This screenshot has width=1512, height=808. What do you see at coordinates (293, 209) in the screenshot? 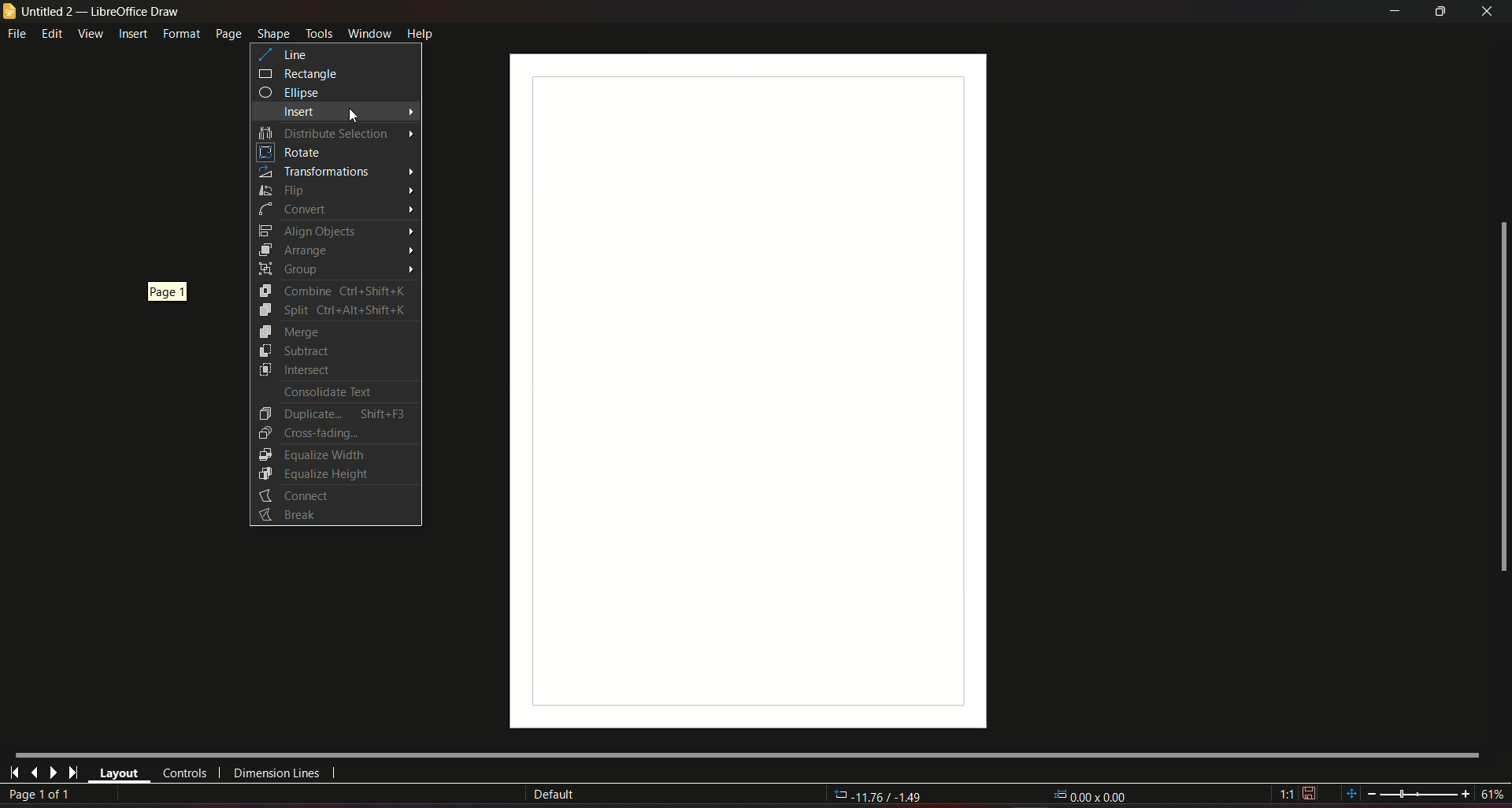
I see `Convert` at bounding box center [293, 209].